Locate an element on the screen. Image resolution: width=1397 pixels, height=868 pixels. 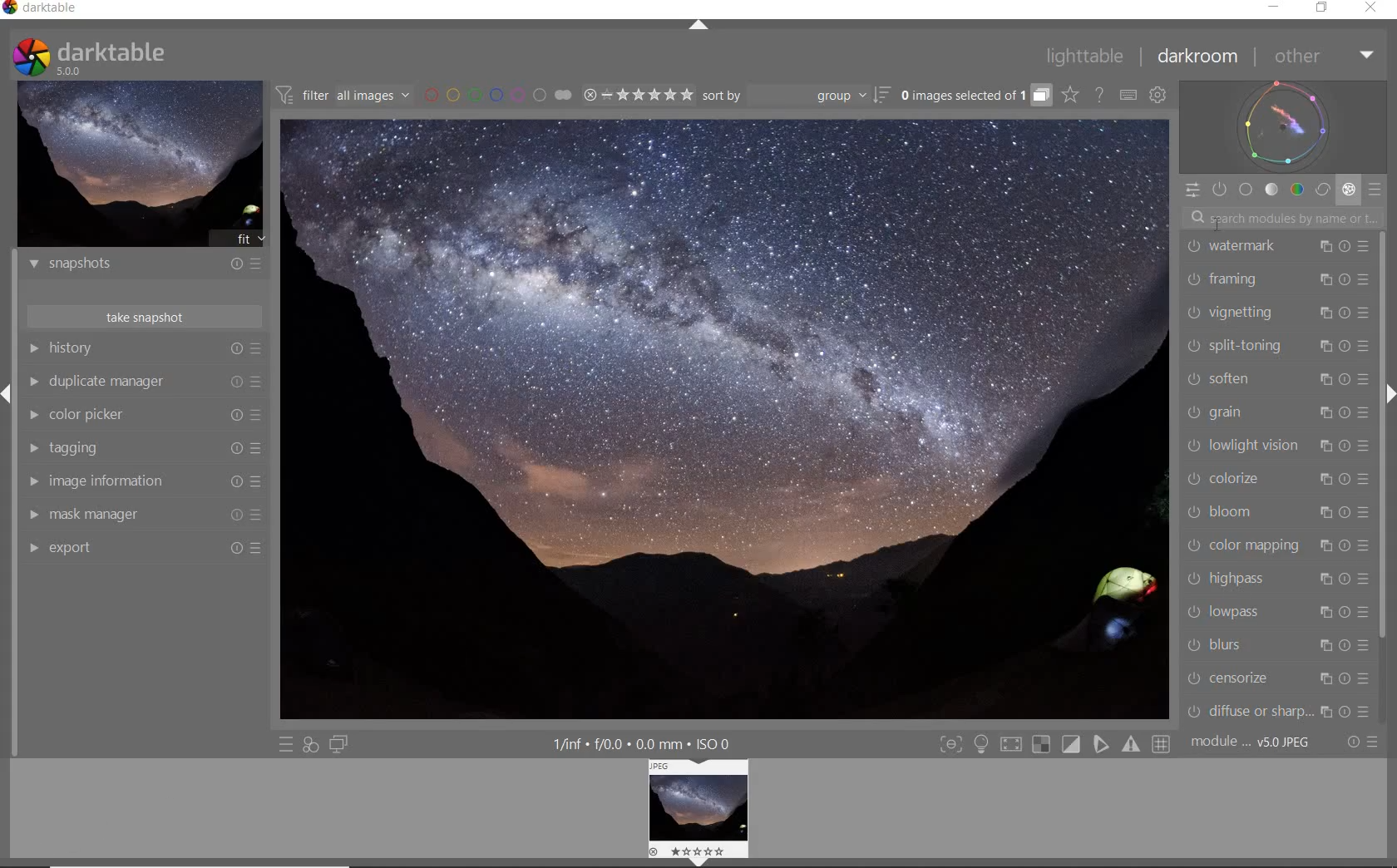
HELP ONLINE is located at coordinates (1098, 95).